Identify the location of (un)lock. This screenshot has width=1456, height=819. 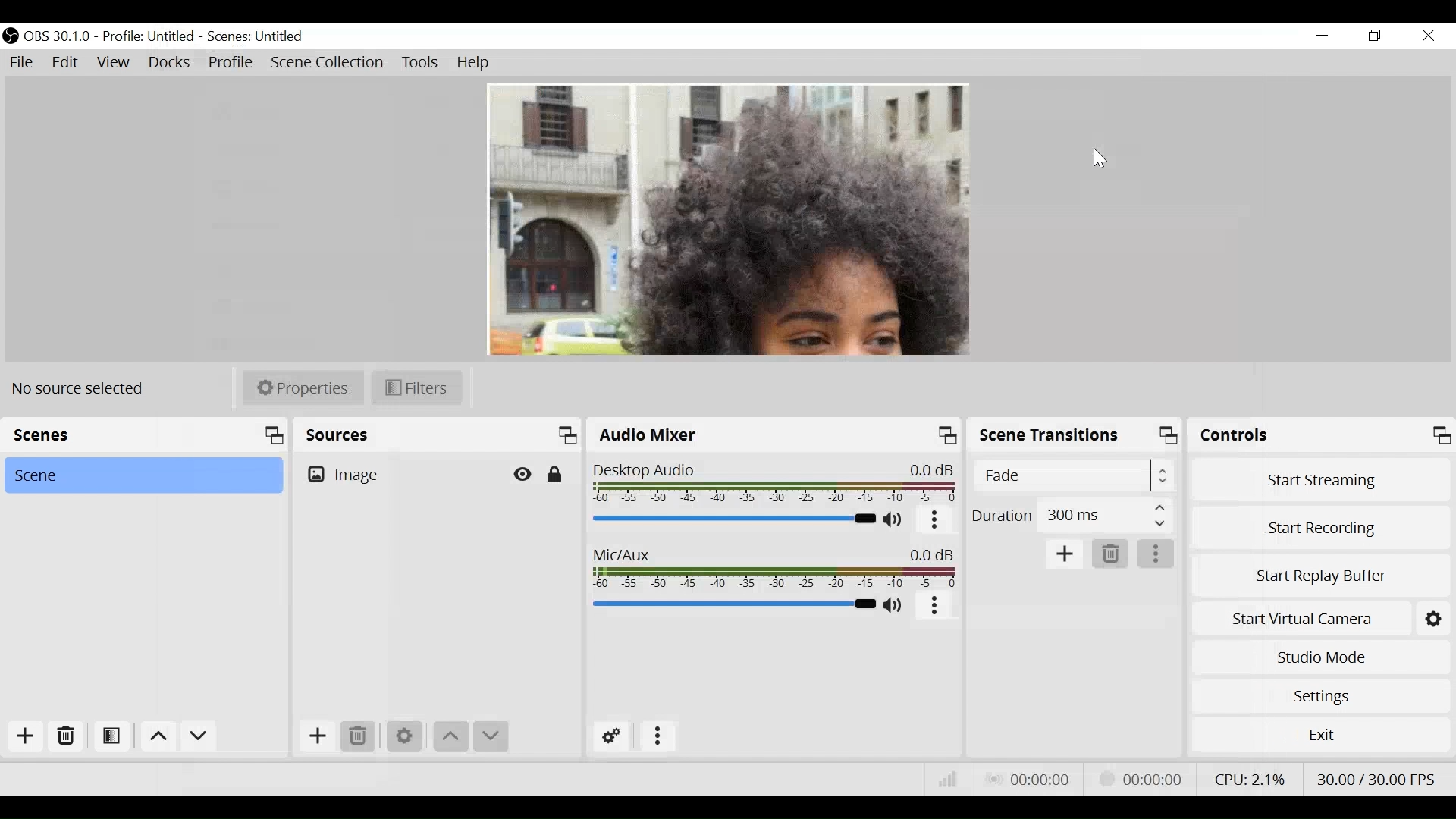
(556, 474).